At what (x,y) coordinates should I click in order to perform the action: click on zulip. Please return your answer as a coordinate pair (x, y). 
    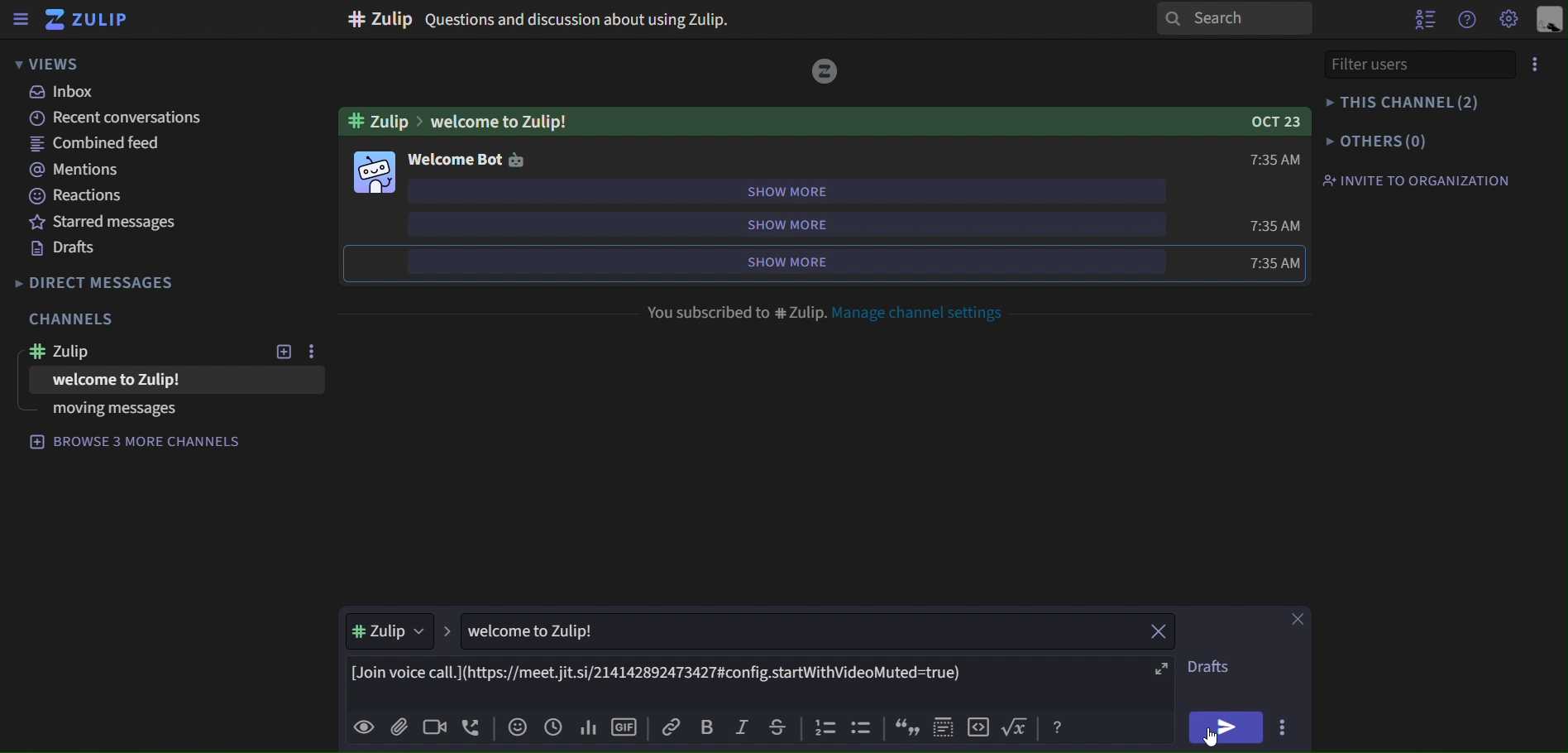
    Looking at the image, I should click on (80, 353).